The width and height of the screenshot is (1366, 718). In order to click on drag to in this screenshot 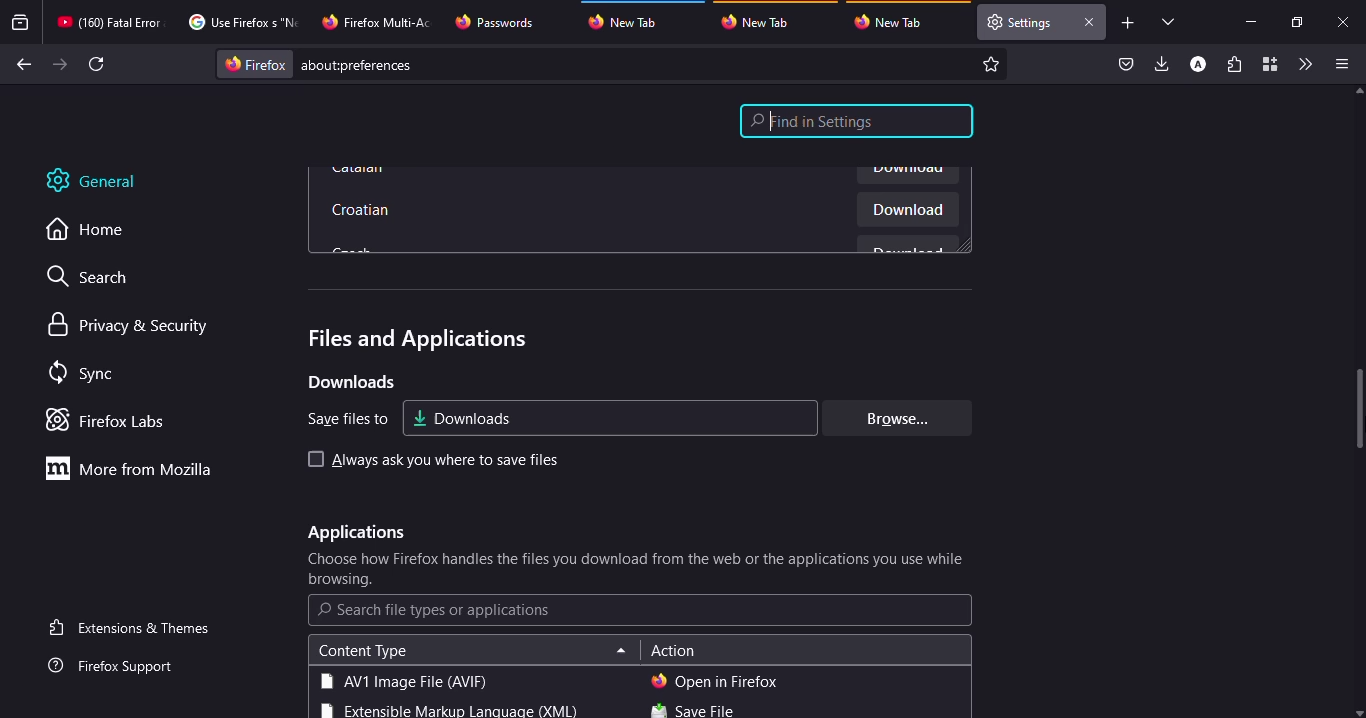, I will do `click(1361, 411)`.